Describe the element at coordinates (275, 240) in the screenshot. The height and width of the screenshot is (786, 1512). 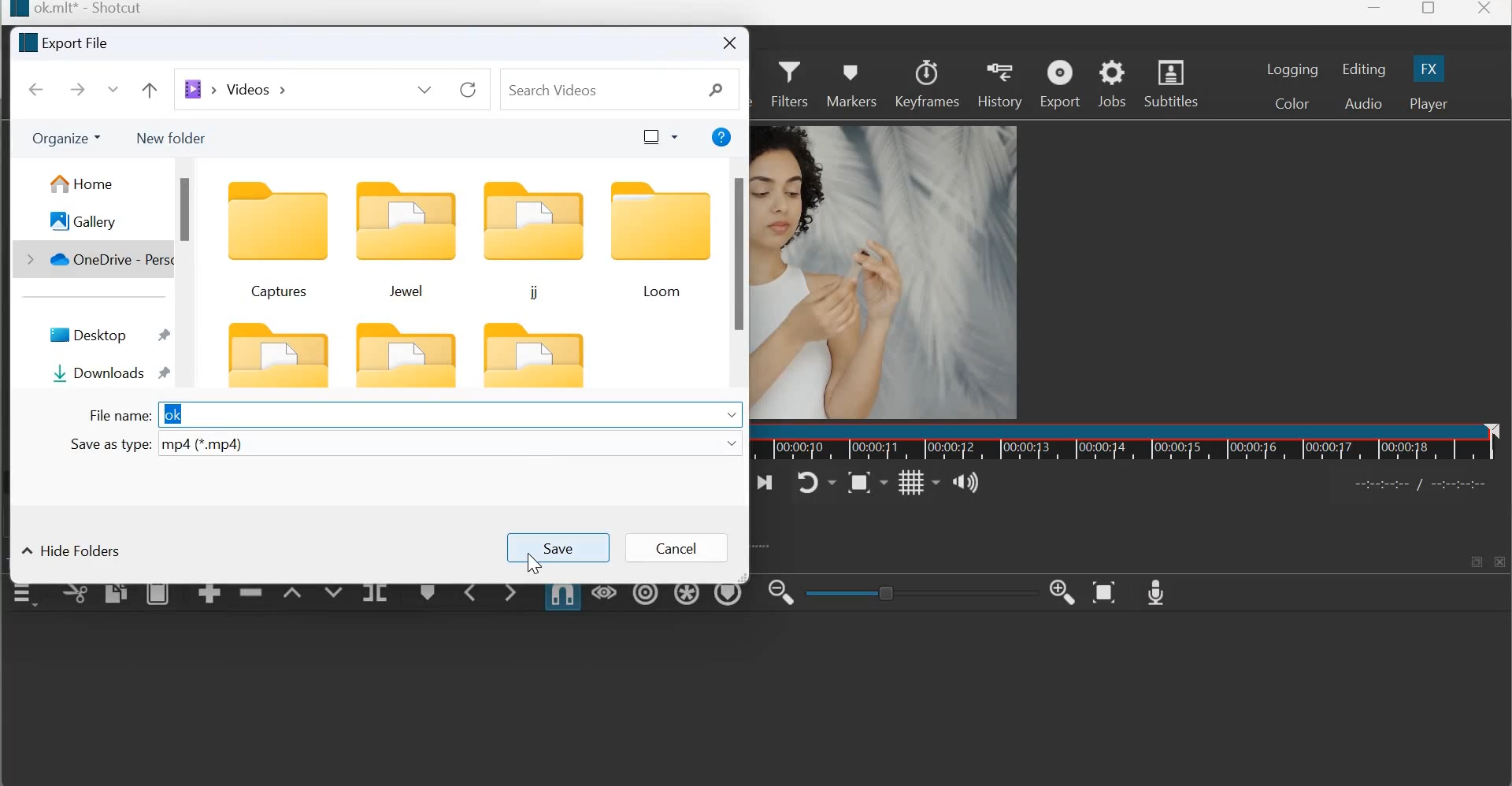
I see `Captures` at that location.